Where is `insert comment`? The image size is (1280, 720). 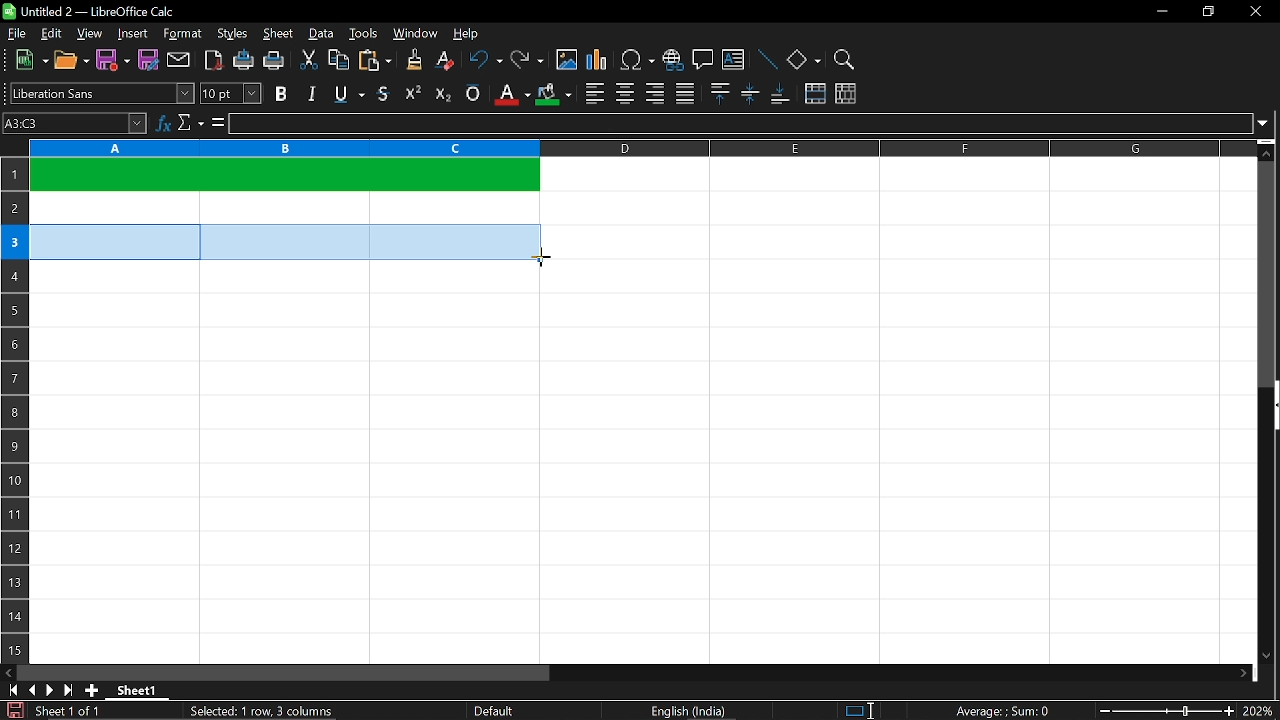
insert comment is located at coordinates (702, 60).